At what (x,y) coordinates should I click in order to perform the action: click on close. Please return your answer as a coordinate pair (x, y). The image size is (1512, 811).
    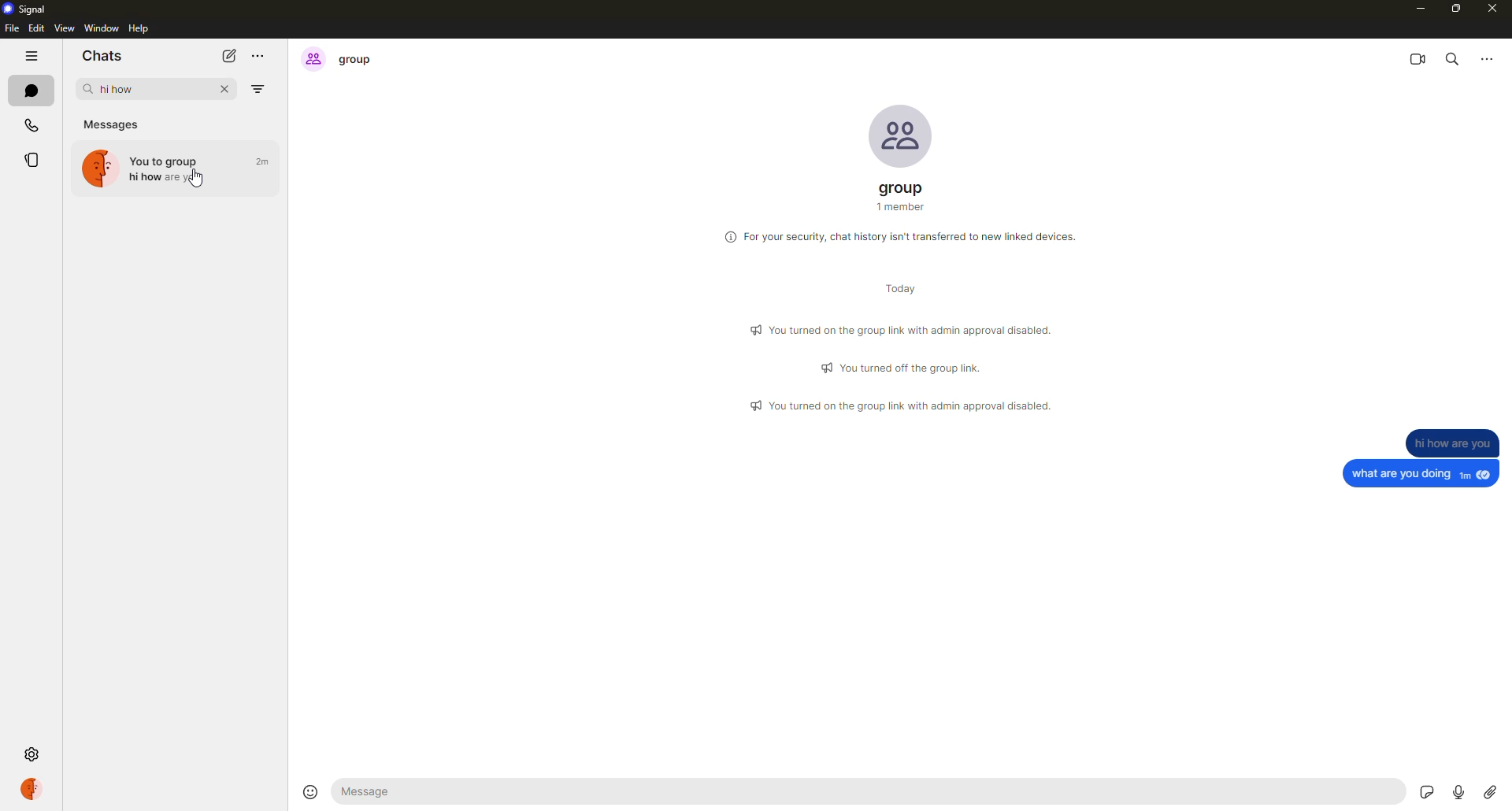
    Looking at the image, I should click on (228, 91).